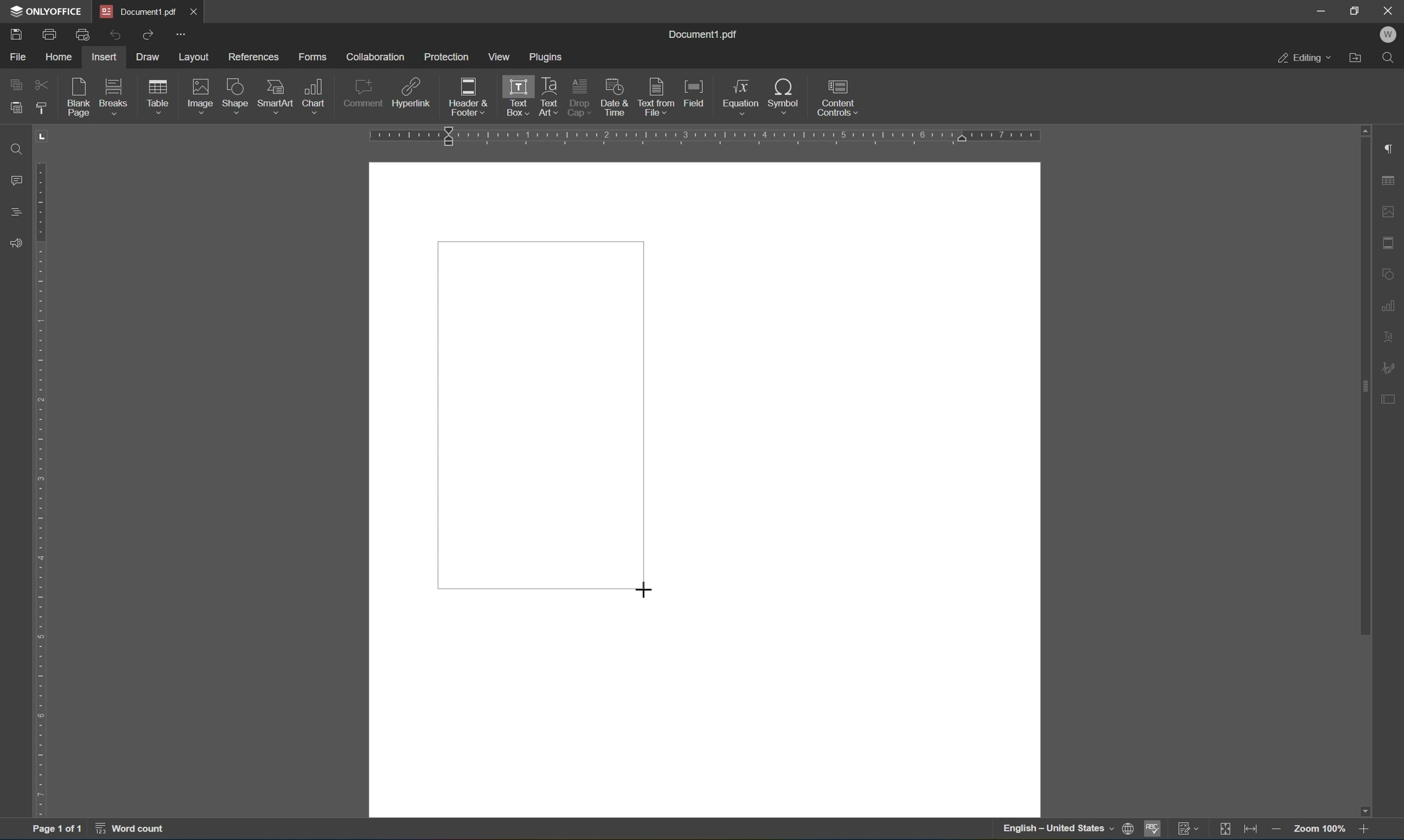 The width and height of the screenshot is (1404, 840). What do you see at coordinates (469, 98) in the screenshot?
I see `header and footer` at bounding box center [469, 98].